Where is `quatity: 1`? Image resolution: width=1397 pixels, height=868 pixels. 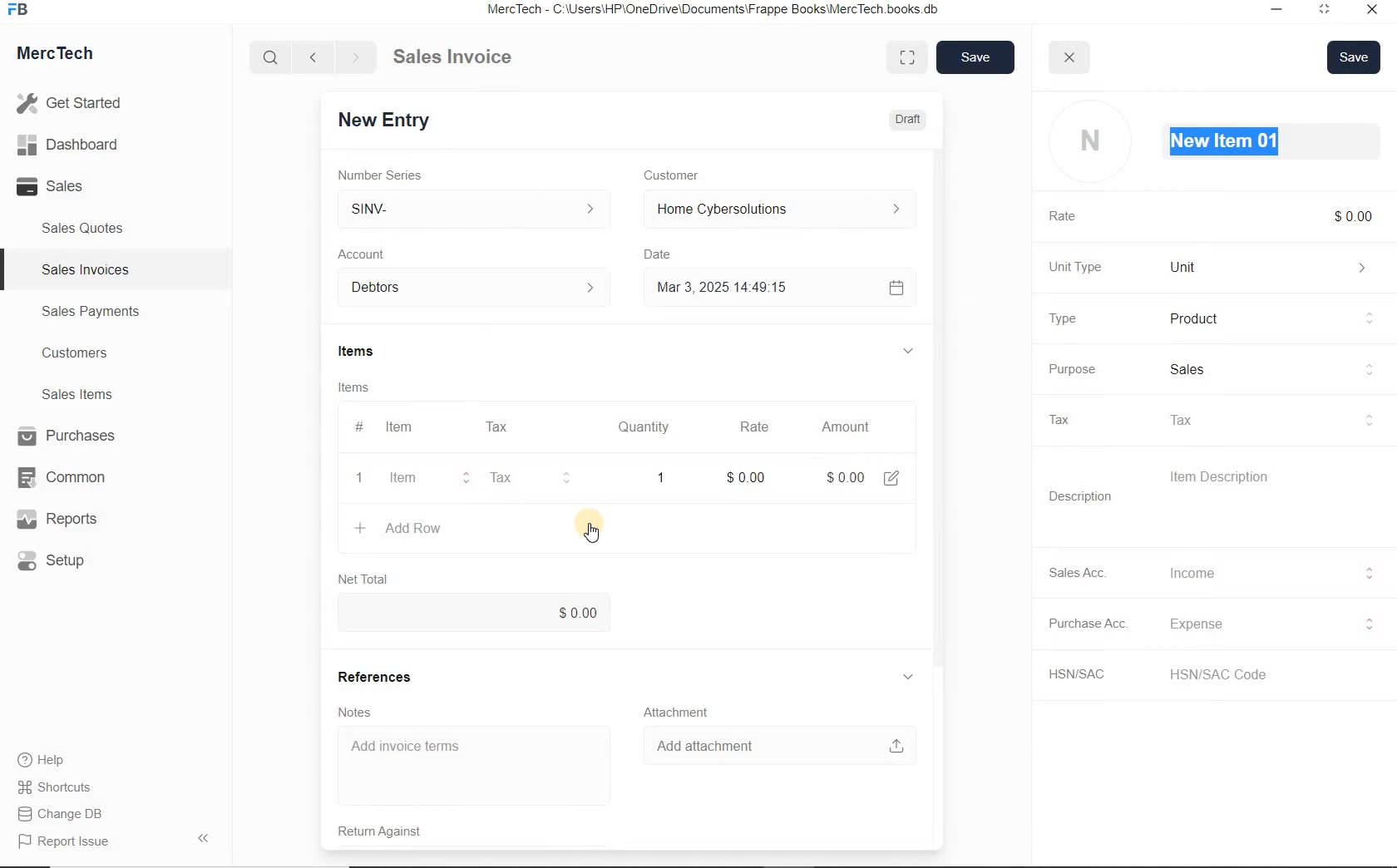
quatity: 1 is located at coordinates (652, 476).